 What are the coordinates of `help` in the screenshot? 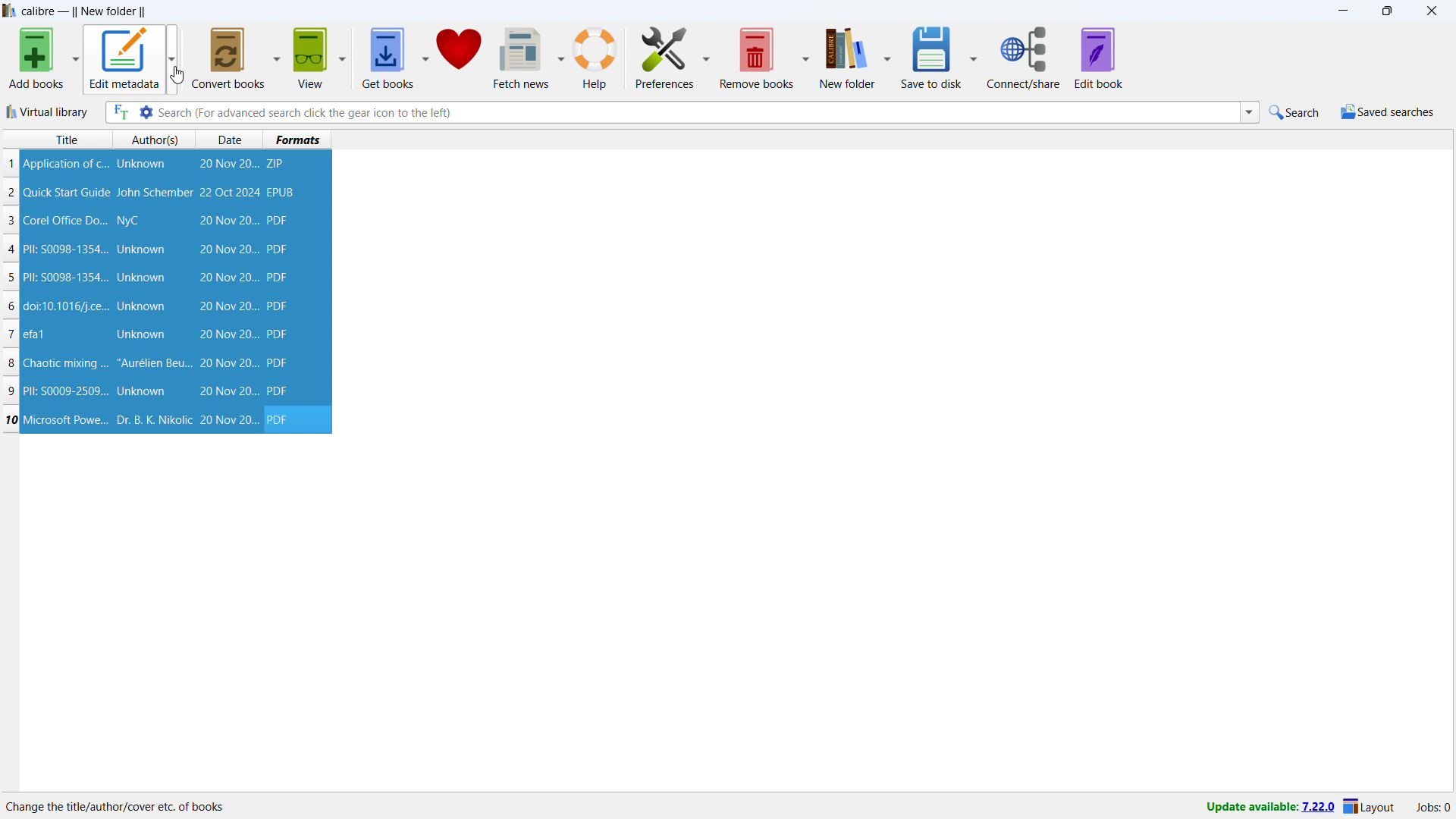 It's located at (597, 57).